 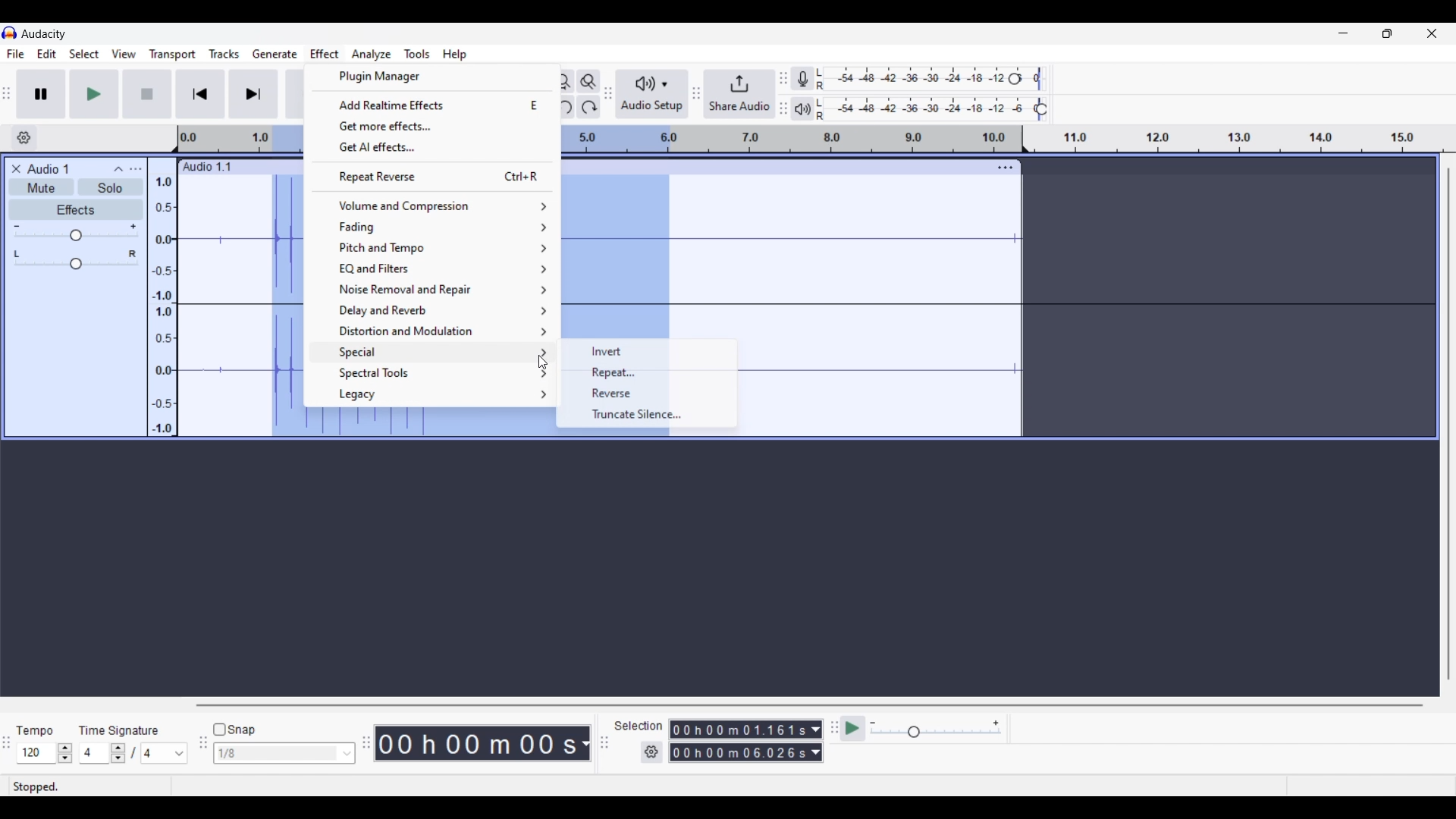 What do you see at coordinates (652, 752) in the screenshot?
I see `Selection settings` at bounding box center [652, 752].